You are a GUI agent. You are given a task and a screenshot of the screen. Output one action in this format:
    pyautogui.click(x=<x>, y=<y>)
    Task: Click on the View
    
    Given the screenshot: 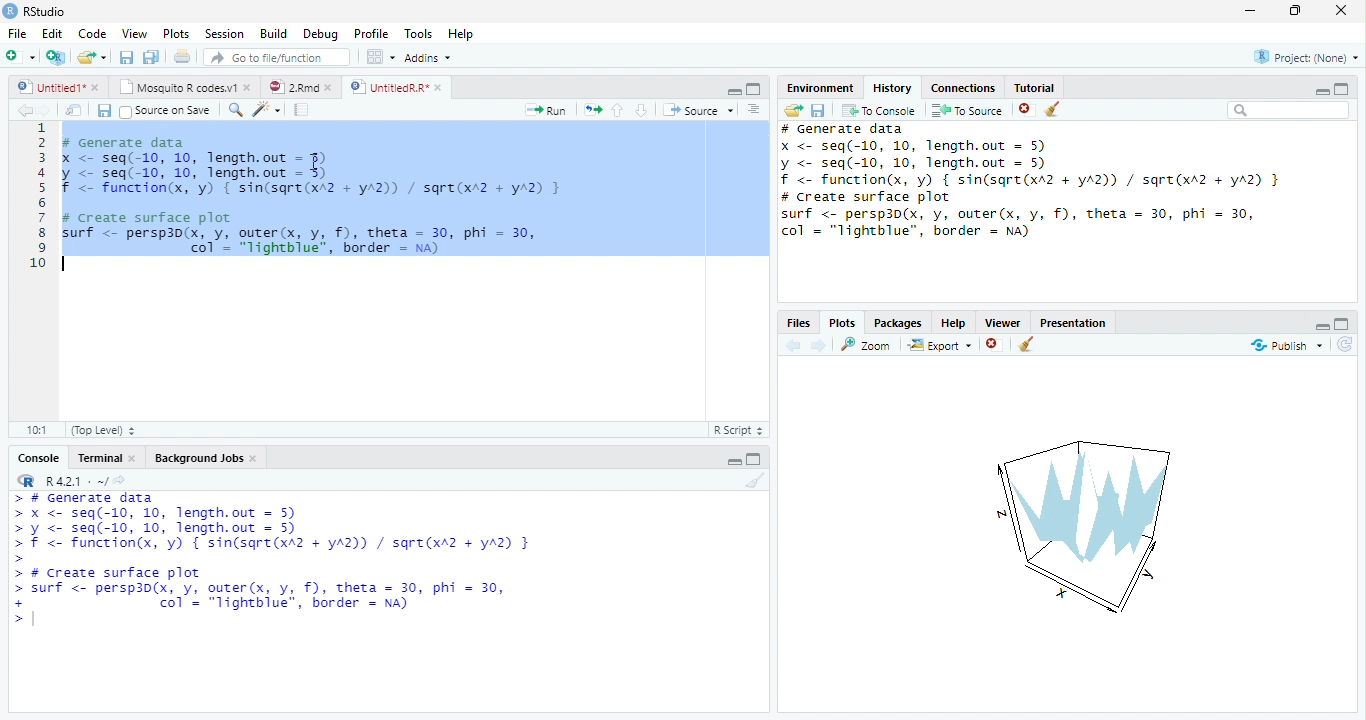 What is the action you would take?
    pyautogui.click(x=134, y=33)
    